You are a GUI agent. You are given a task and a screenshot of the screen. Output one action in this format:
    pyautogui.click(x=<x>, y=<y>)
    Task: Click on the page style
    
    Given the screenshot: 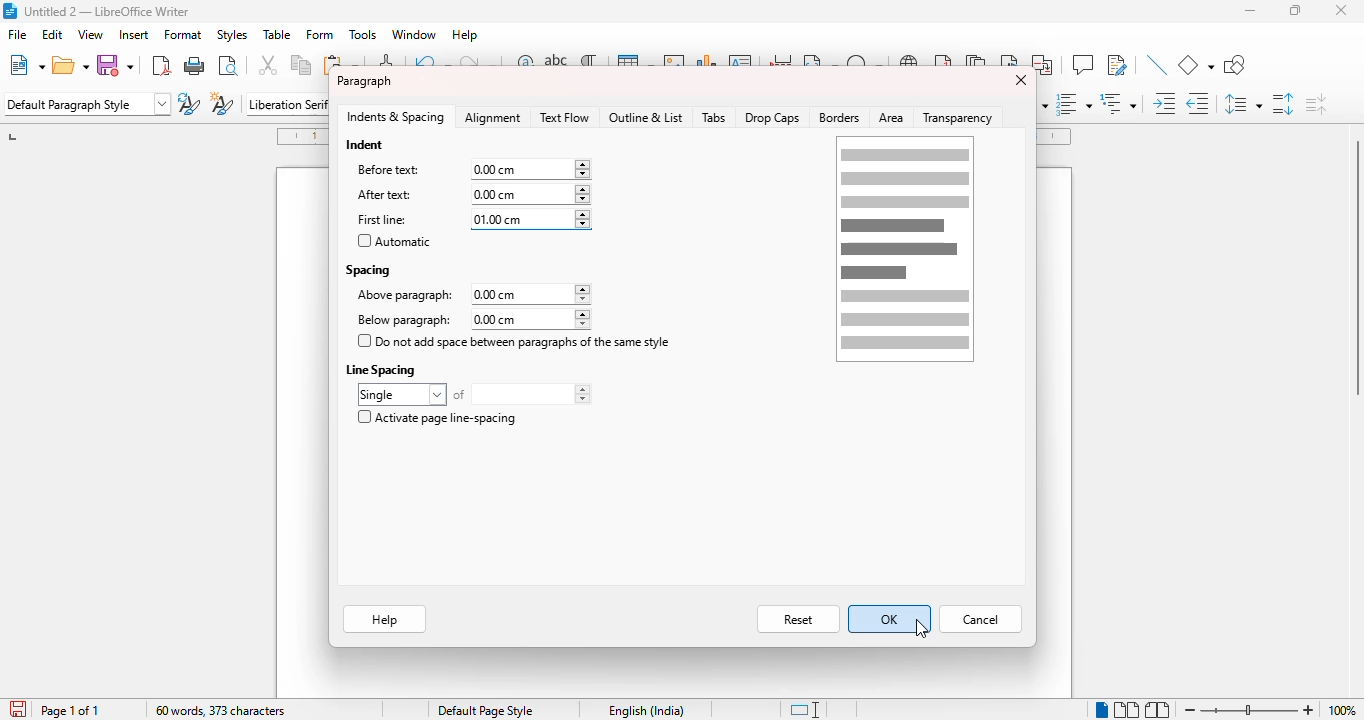 What is the action you would take?
    pyautogui.click(x=486, y=710)
    